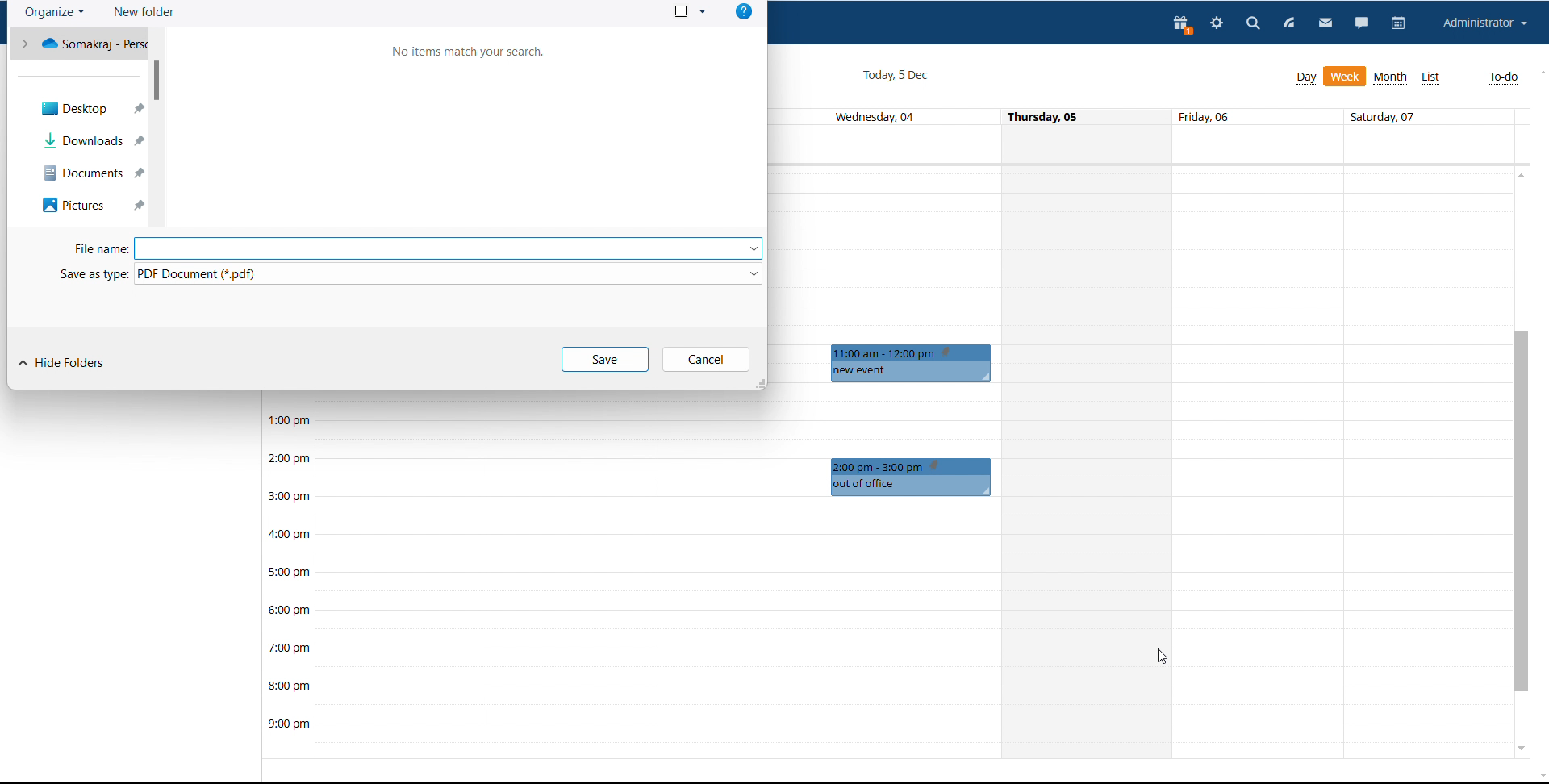  I want to click on scrollbar, so click(1522, 511).